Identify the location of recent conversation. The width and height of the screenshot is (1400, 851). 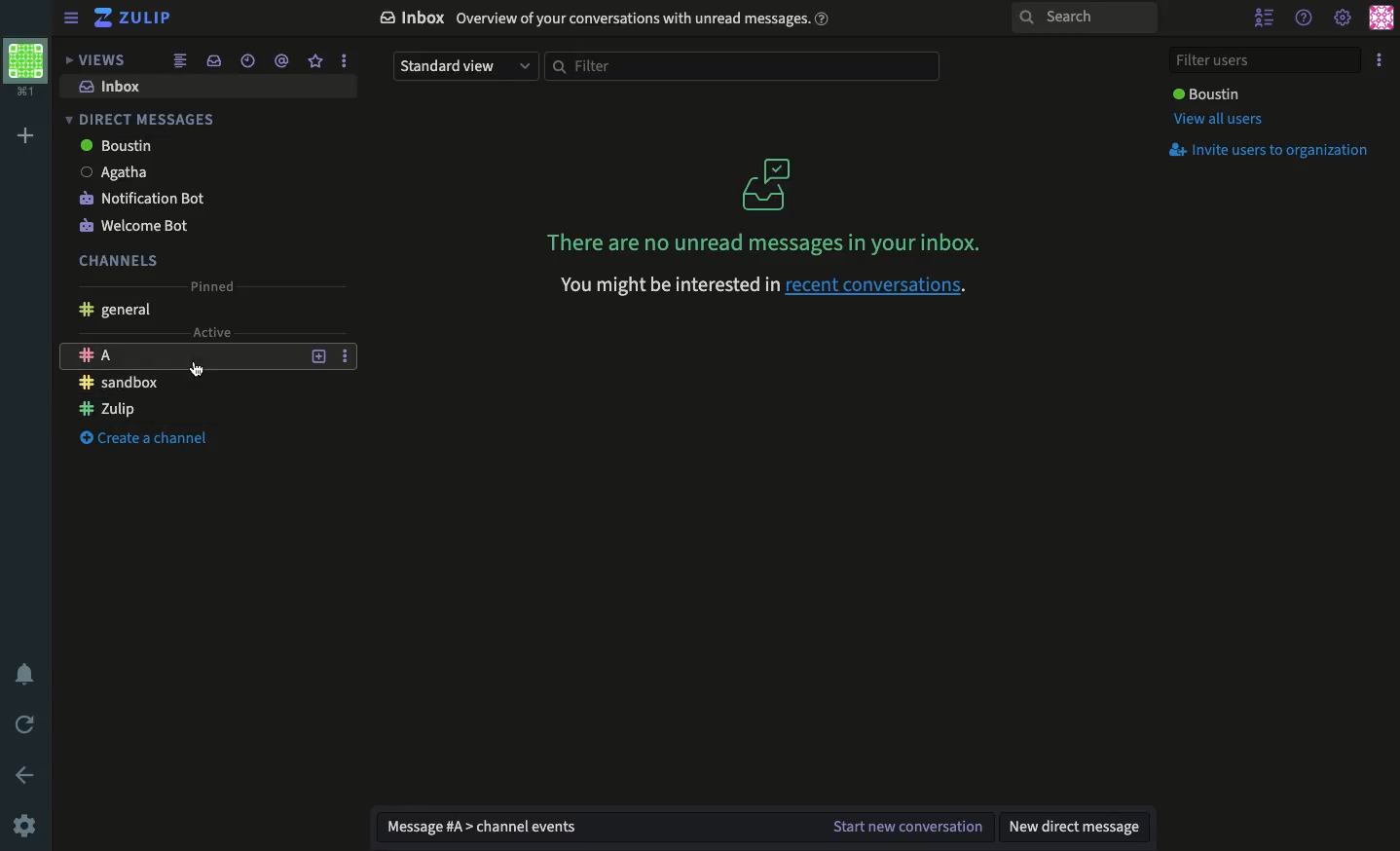
(876, 285).